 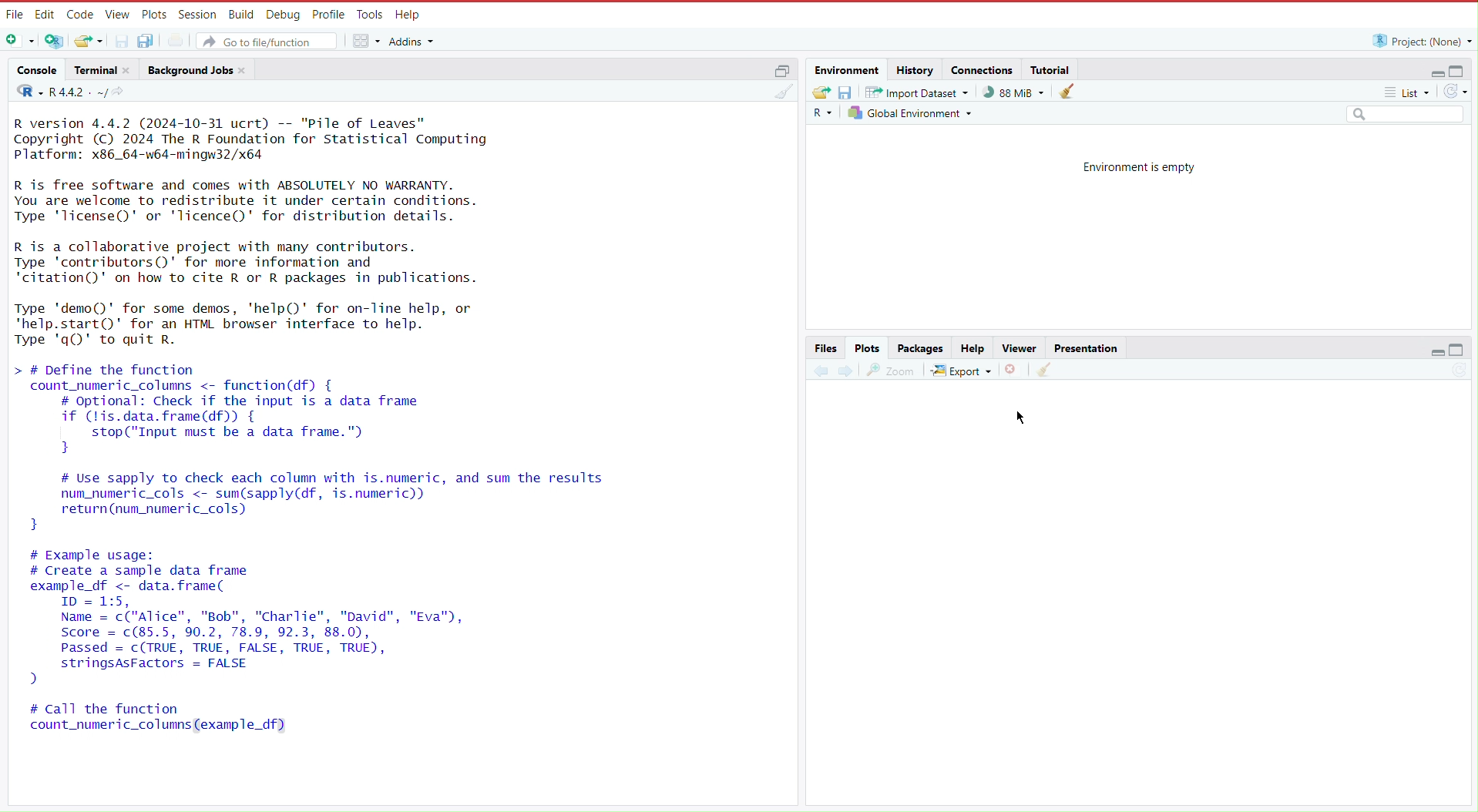 What do you see at coordinates (368, 15) in the screenshot?
I see `Tools` at bounding box center [368, 15].